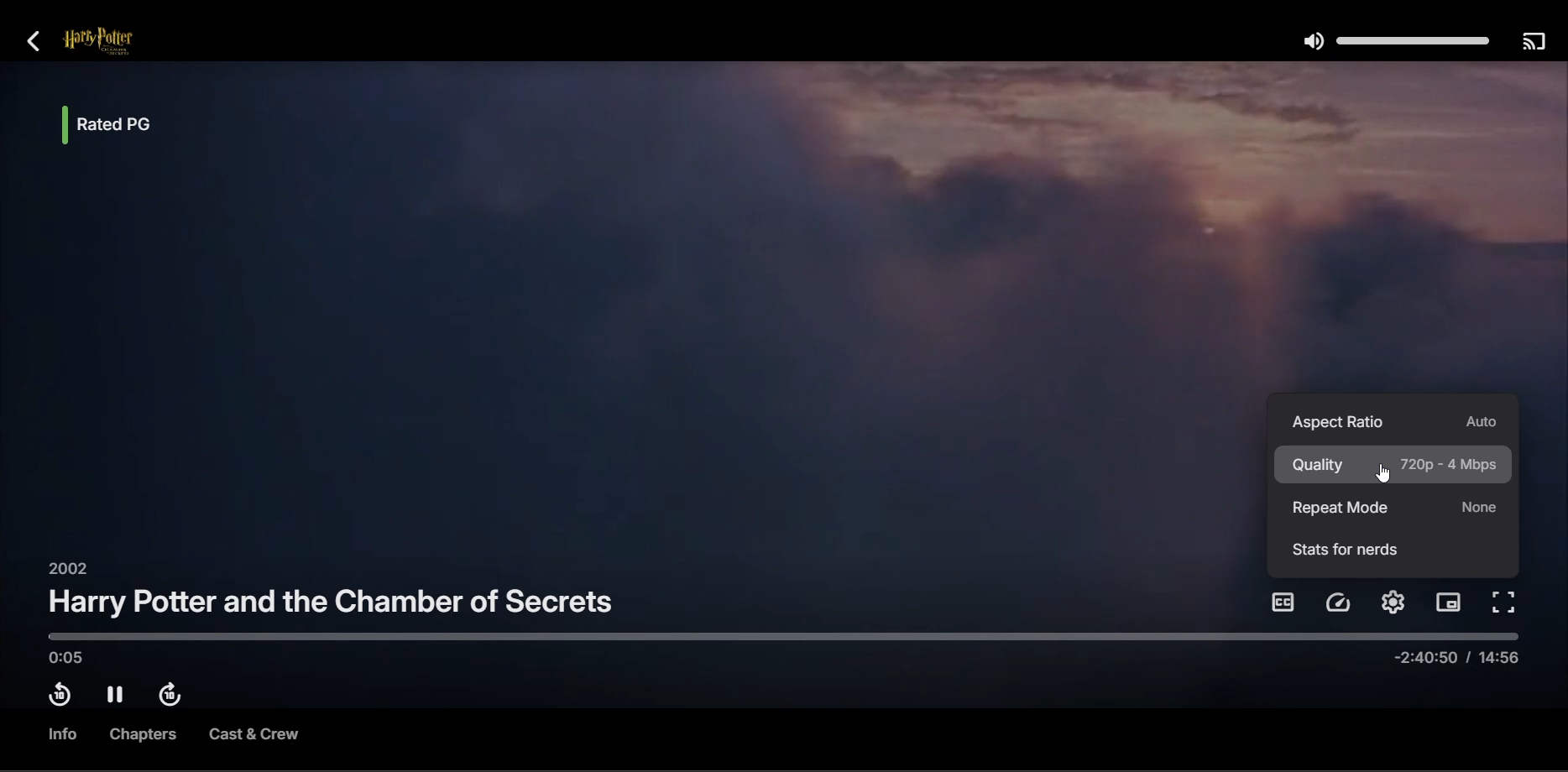 This screenshot has height=772, width=1568. I want to click on Elapsed Time, so click(72, 660).